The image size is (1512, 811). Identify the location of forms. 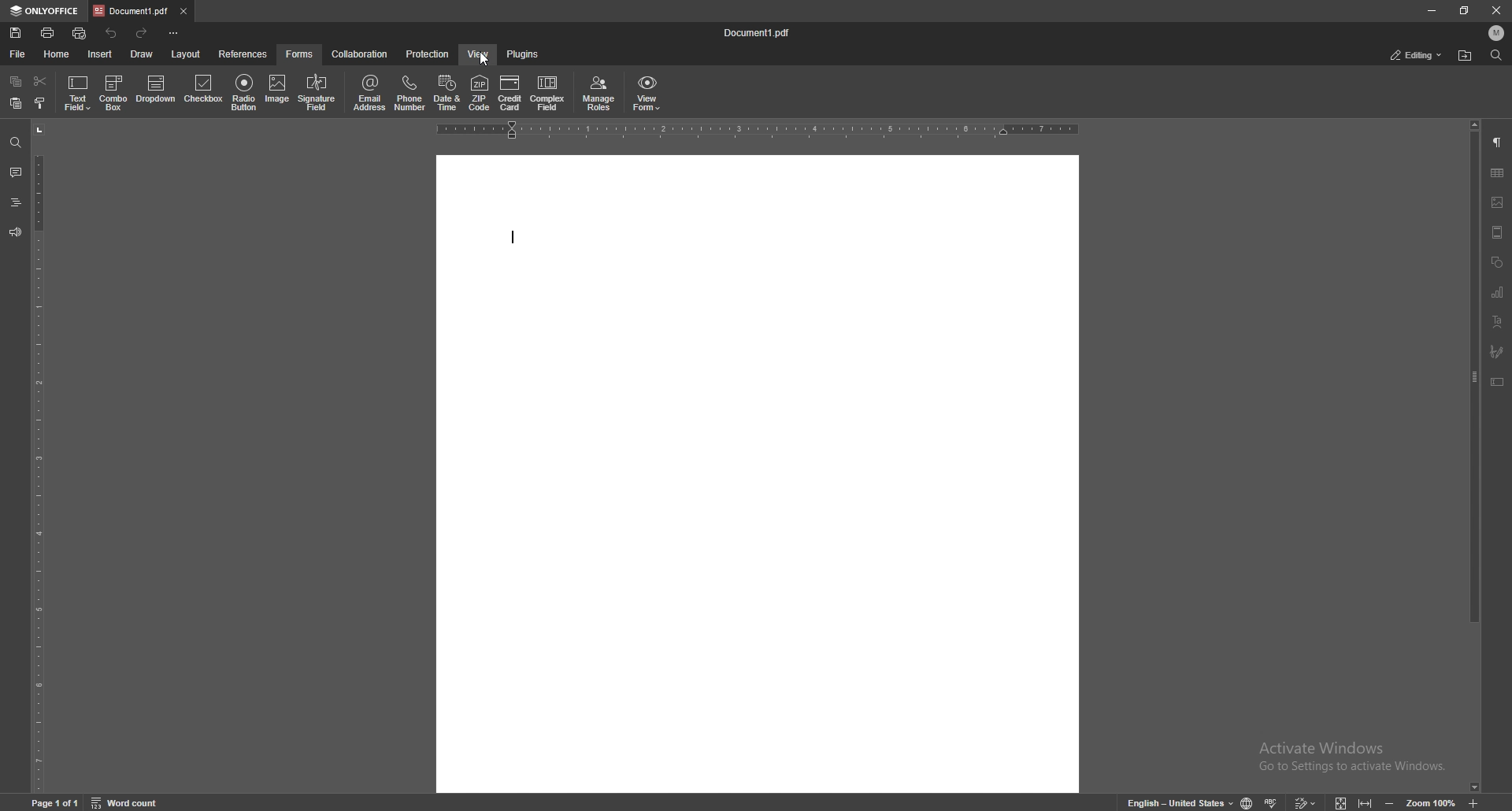
(300, 54).